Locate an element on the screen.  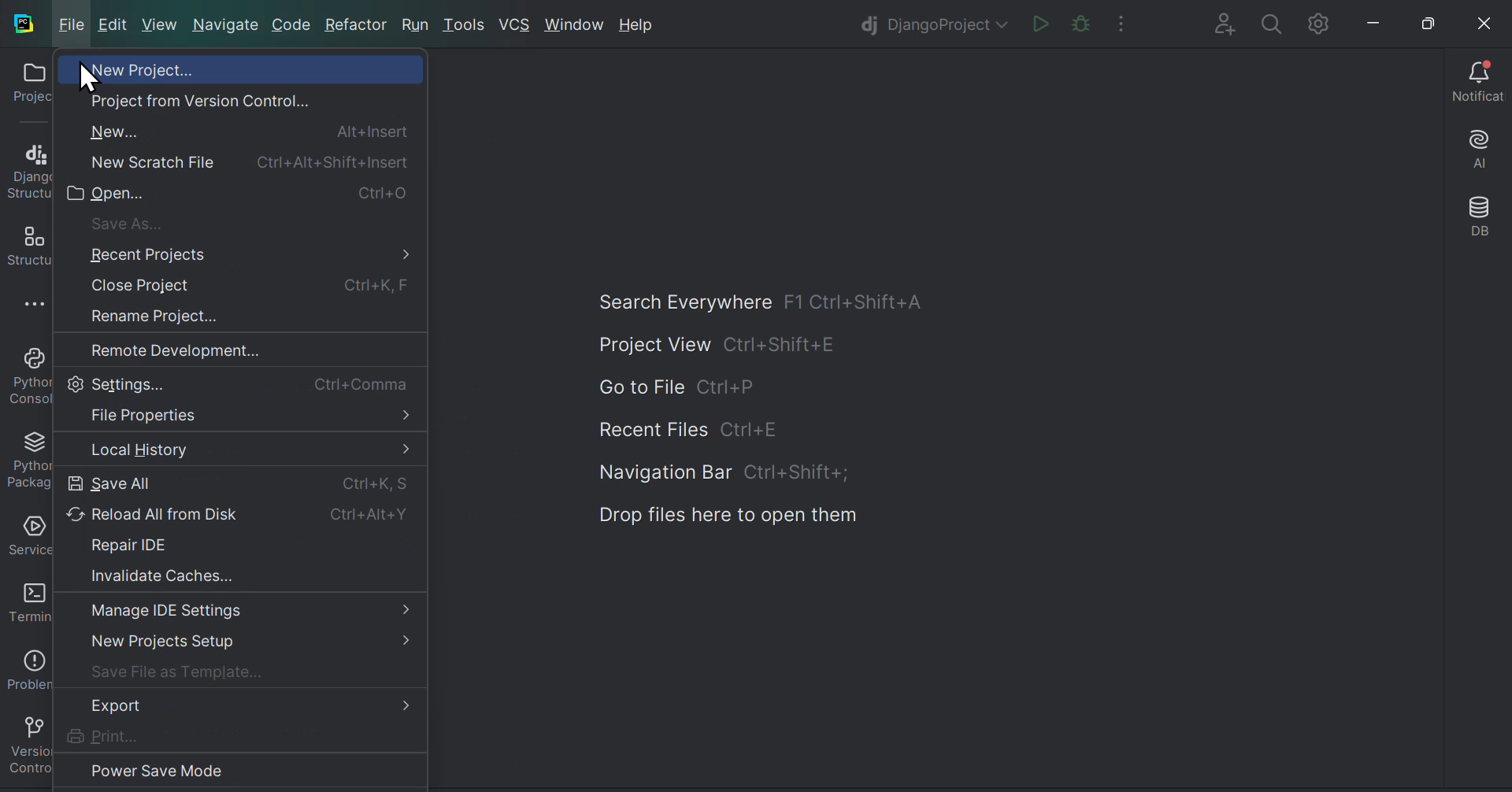
Go to file is located at coordinates (691, 387).